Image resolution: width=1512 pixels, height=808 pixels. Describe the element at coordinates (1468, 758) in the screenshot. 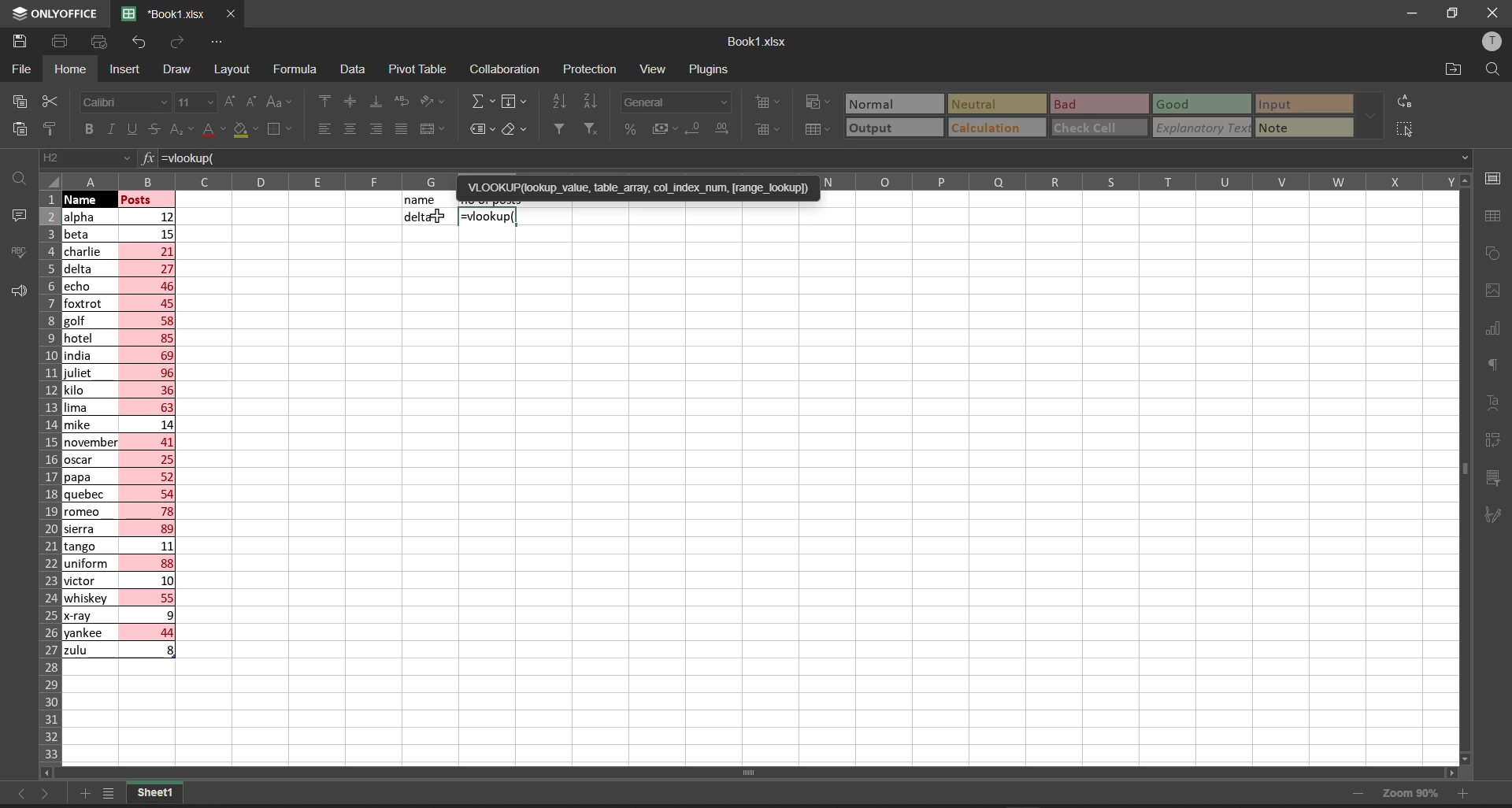

I see `scroll down` at that location.